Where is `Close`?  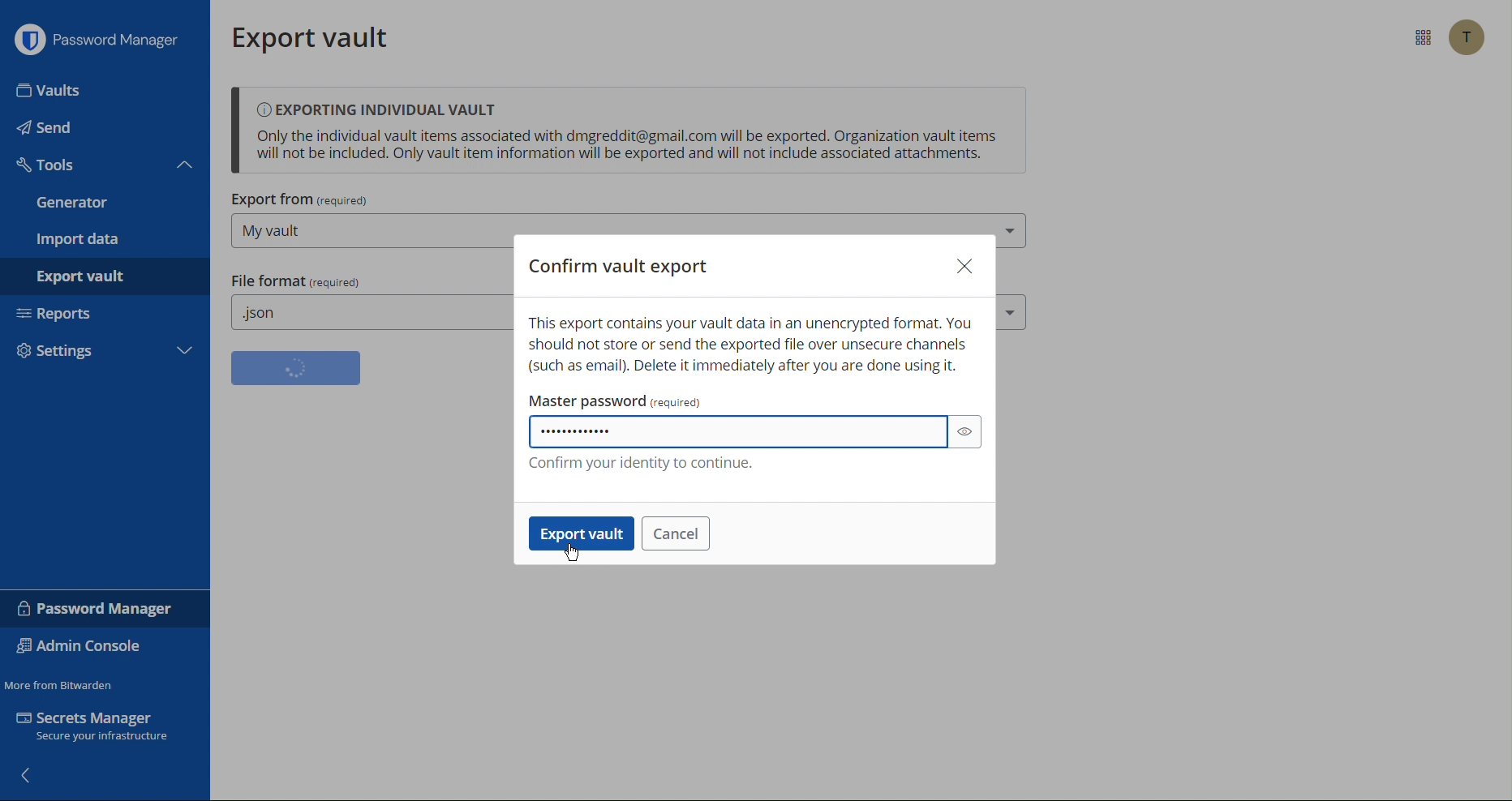
Close is located at coordinates (964, 263).